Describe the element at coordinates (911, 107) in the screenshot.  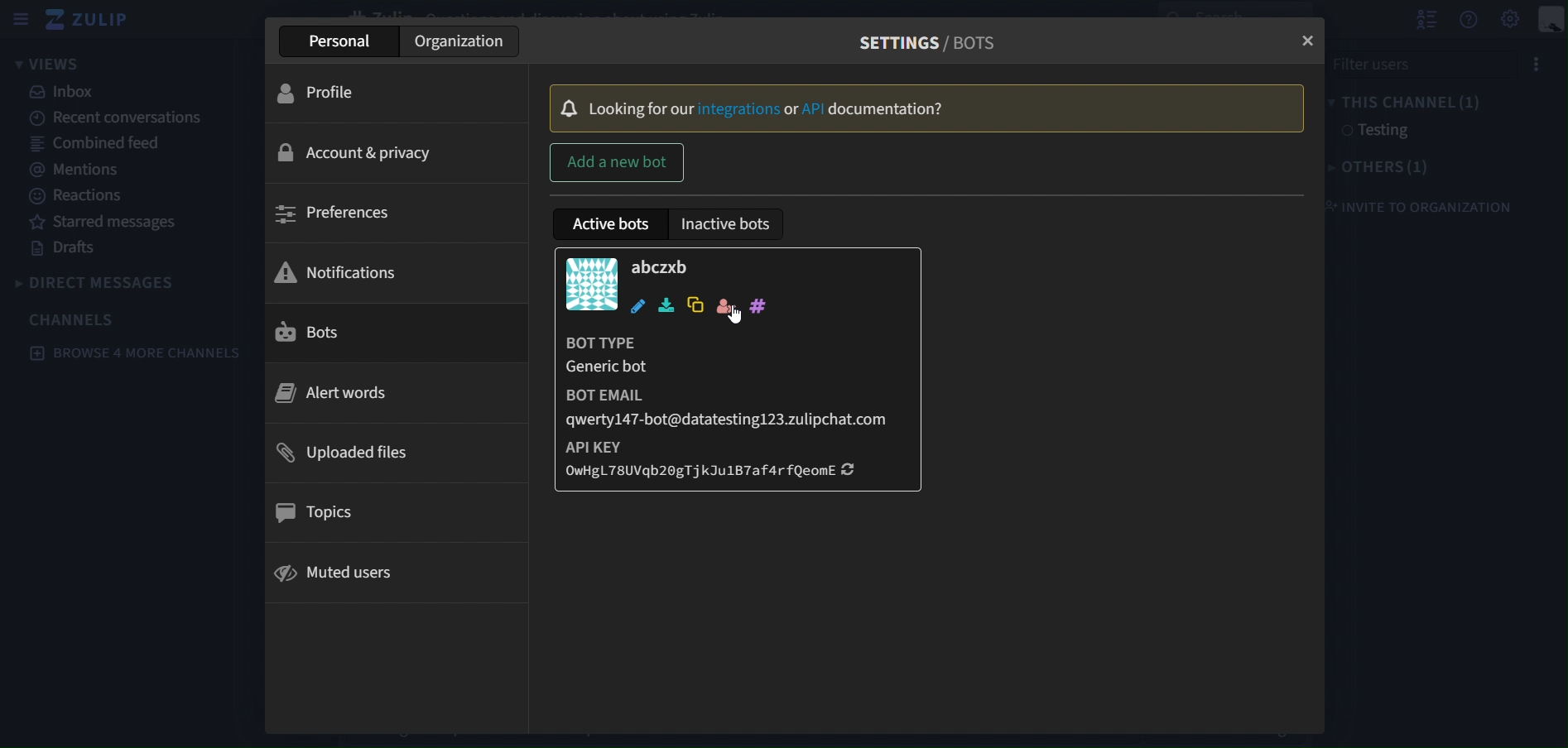
I see `looking for our integrations or API documentation?` at that location.